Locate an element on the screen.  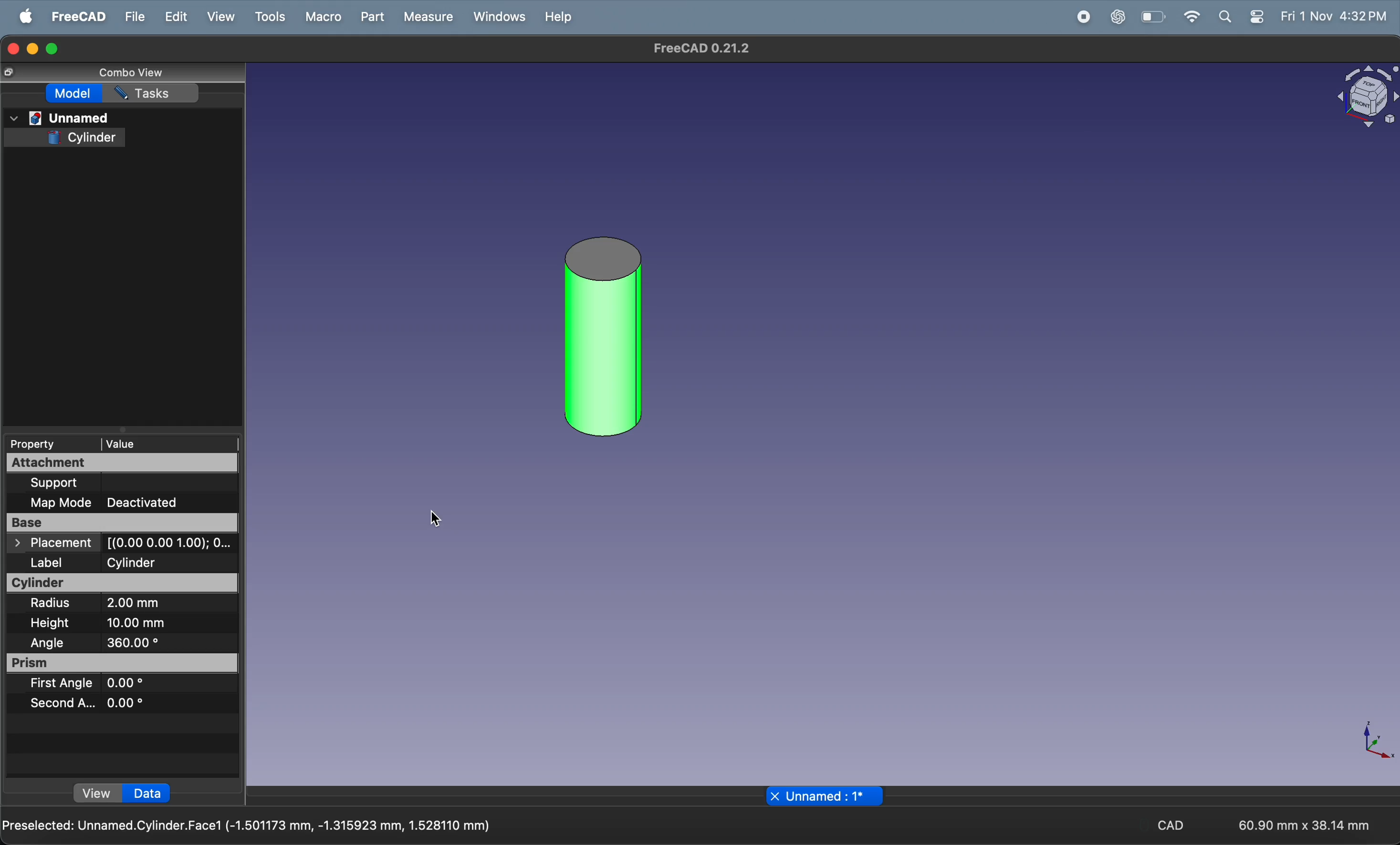
base is located at coordinates (120, 523).